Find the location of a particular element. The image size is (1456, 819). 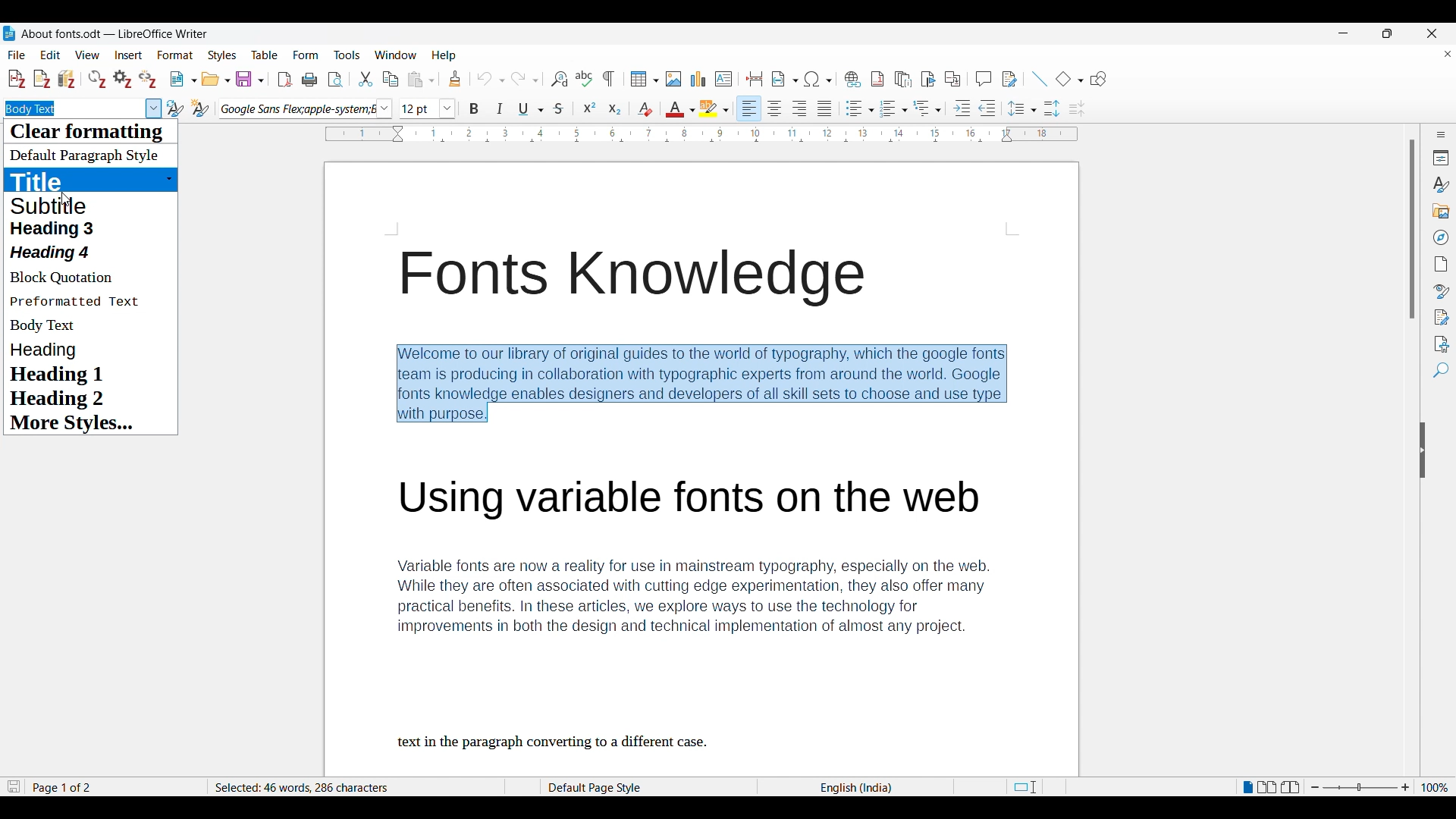

Page cut is located at coordinates (1037, 786).